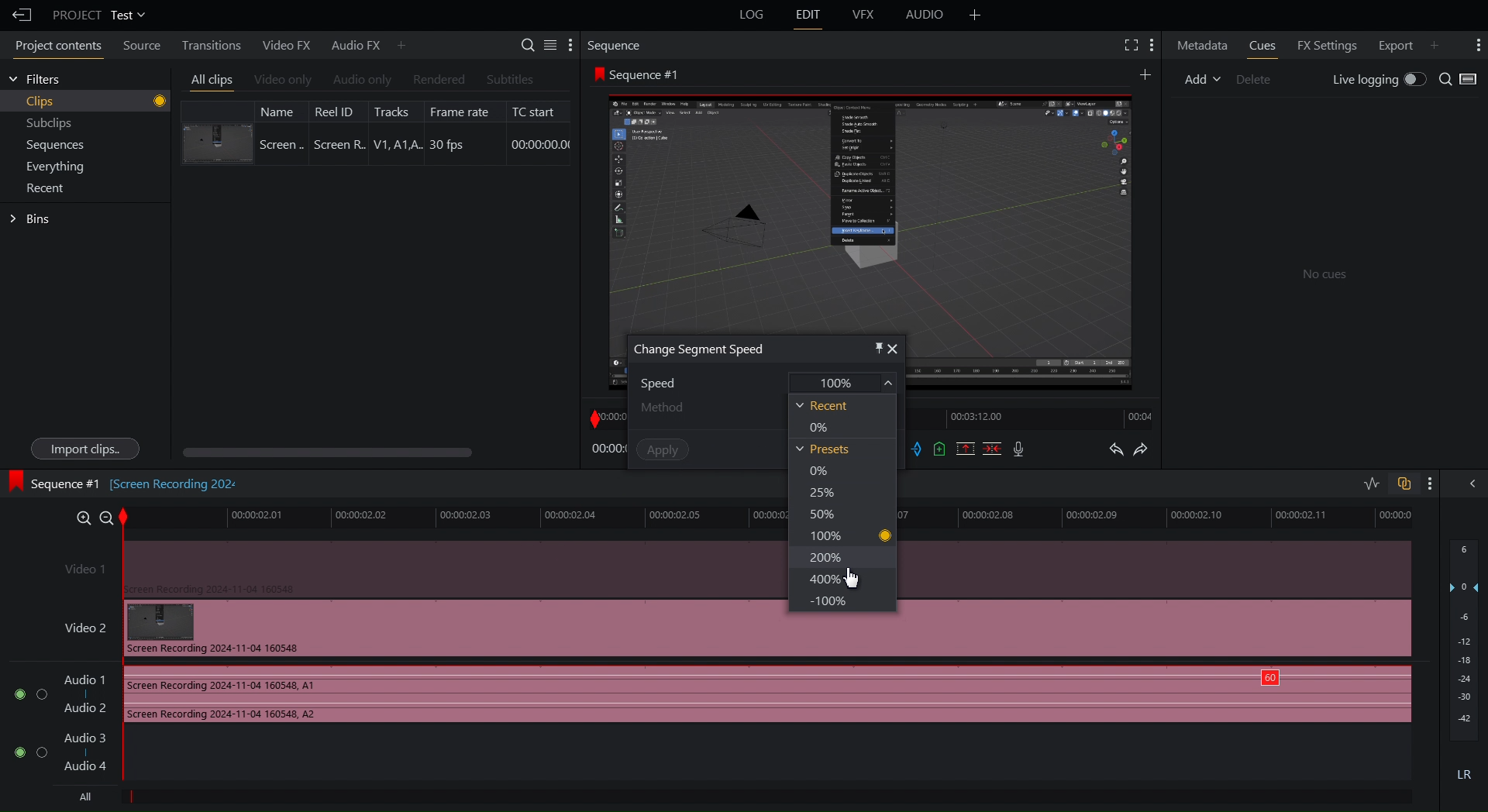 This screenshot has width=1488, height=812. I want to click on 25%, so click(818, 492).